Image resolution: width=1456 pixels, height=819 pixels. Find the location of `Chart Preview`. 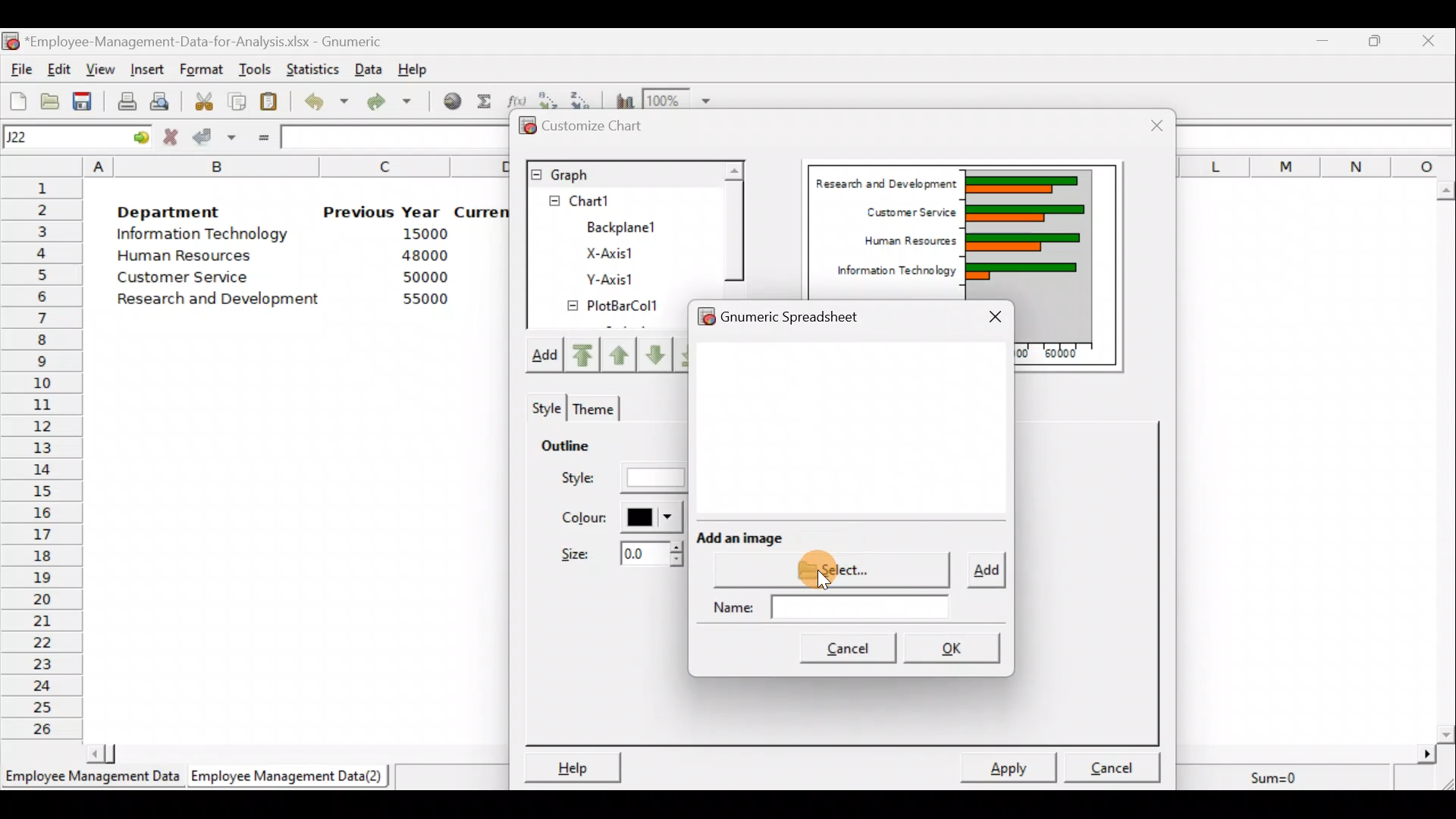

Chart Preview is located at coordinates (1027, 223).